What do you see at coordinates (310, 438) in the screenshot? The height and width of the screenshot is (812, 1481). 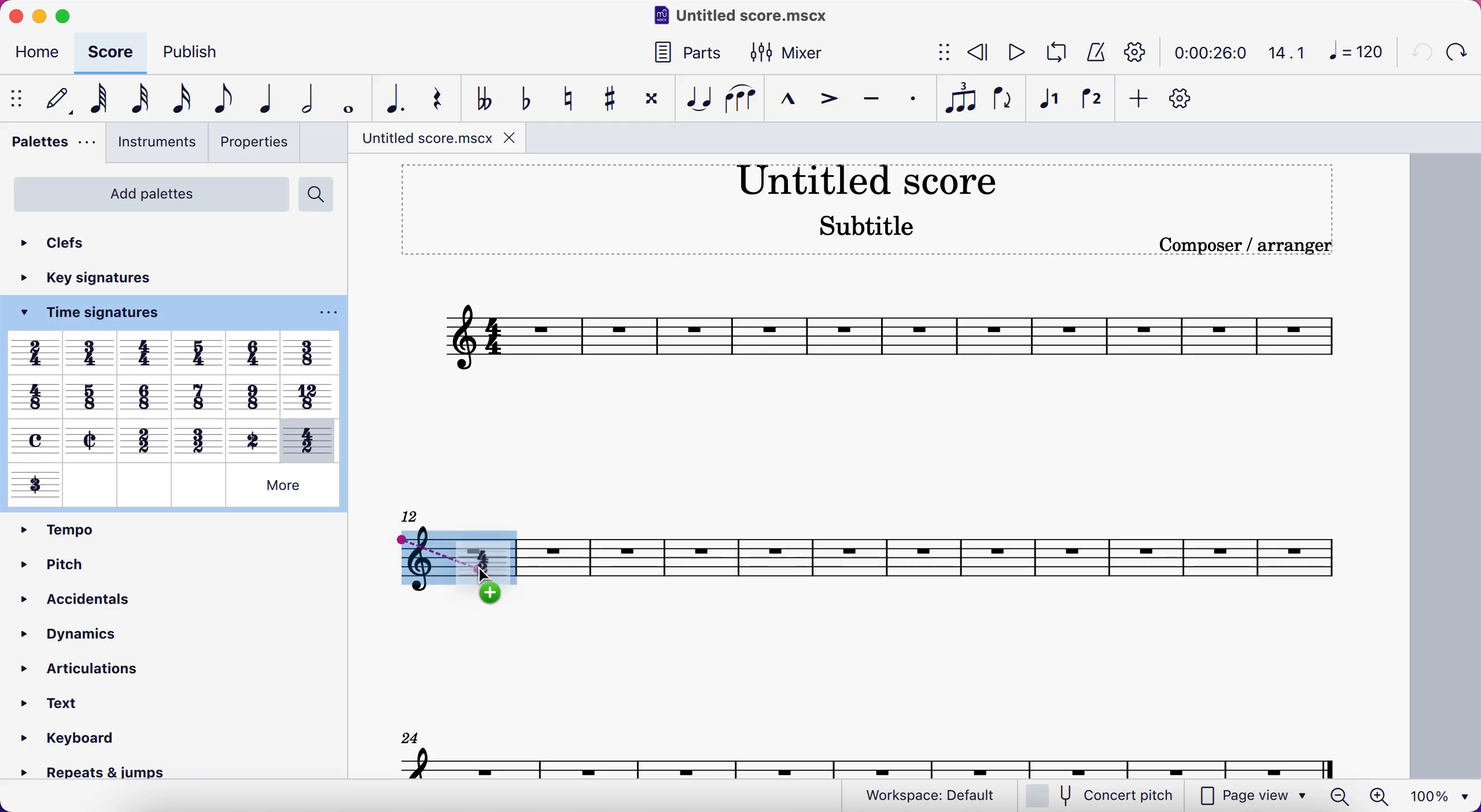 I see `` at bounding box center [310, 438].